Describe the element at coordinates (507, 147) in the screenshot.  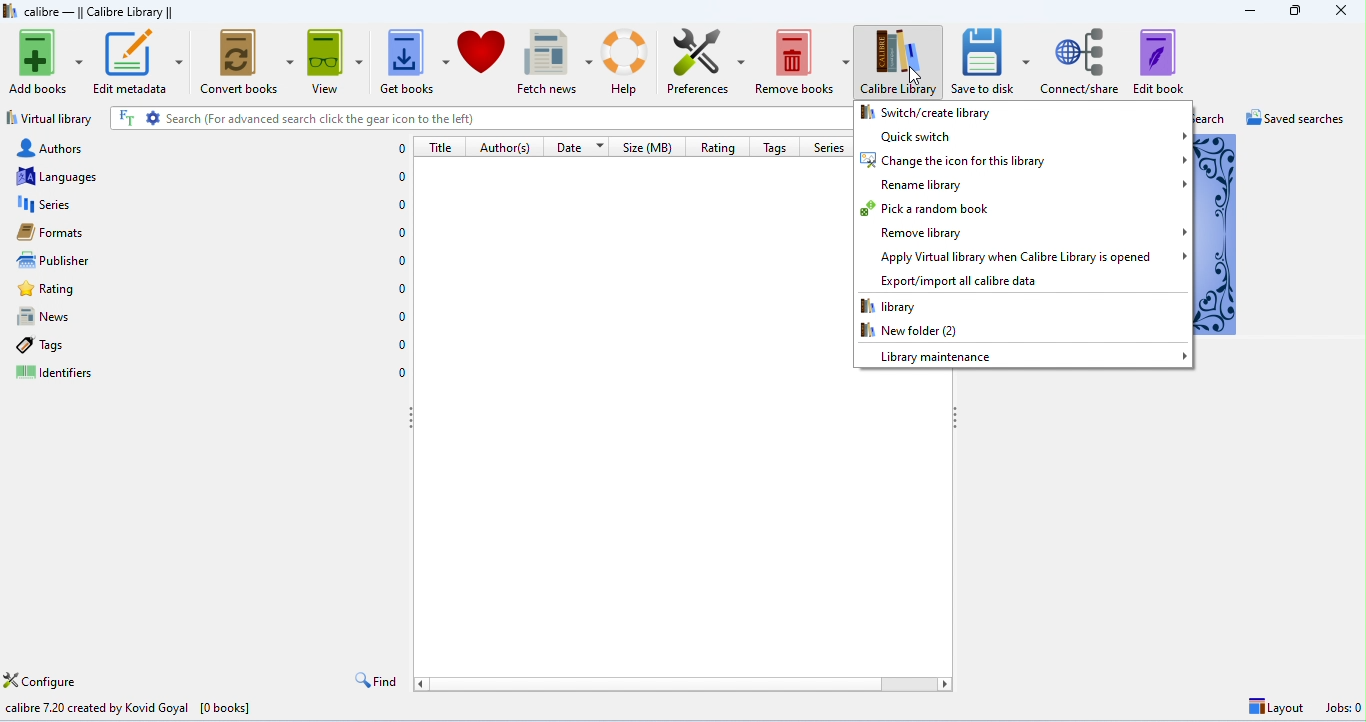
I see `author(s)` at that location.